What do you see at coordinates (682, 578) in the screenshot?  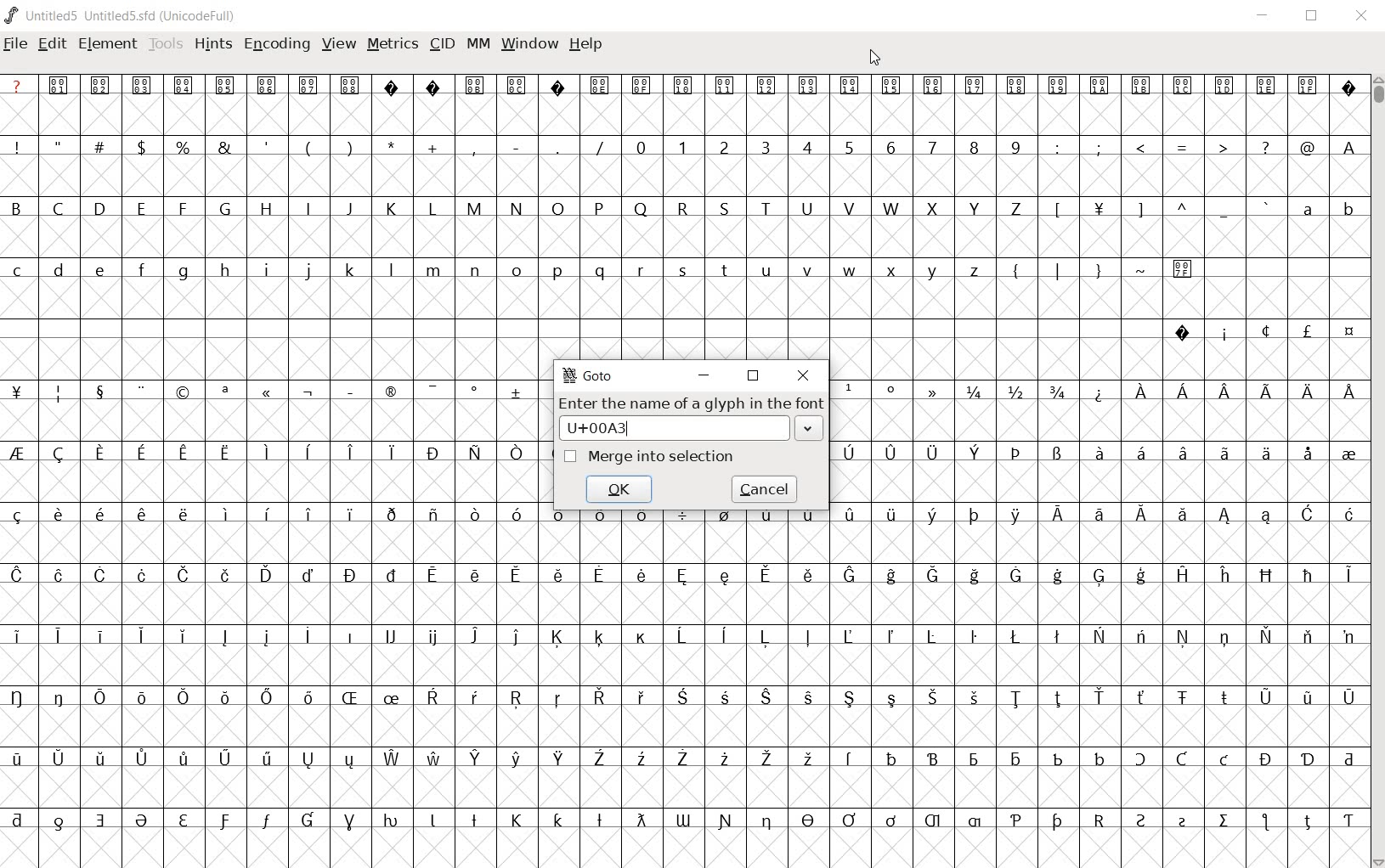 I see `Symbol` at bounding box center [682, 578].